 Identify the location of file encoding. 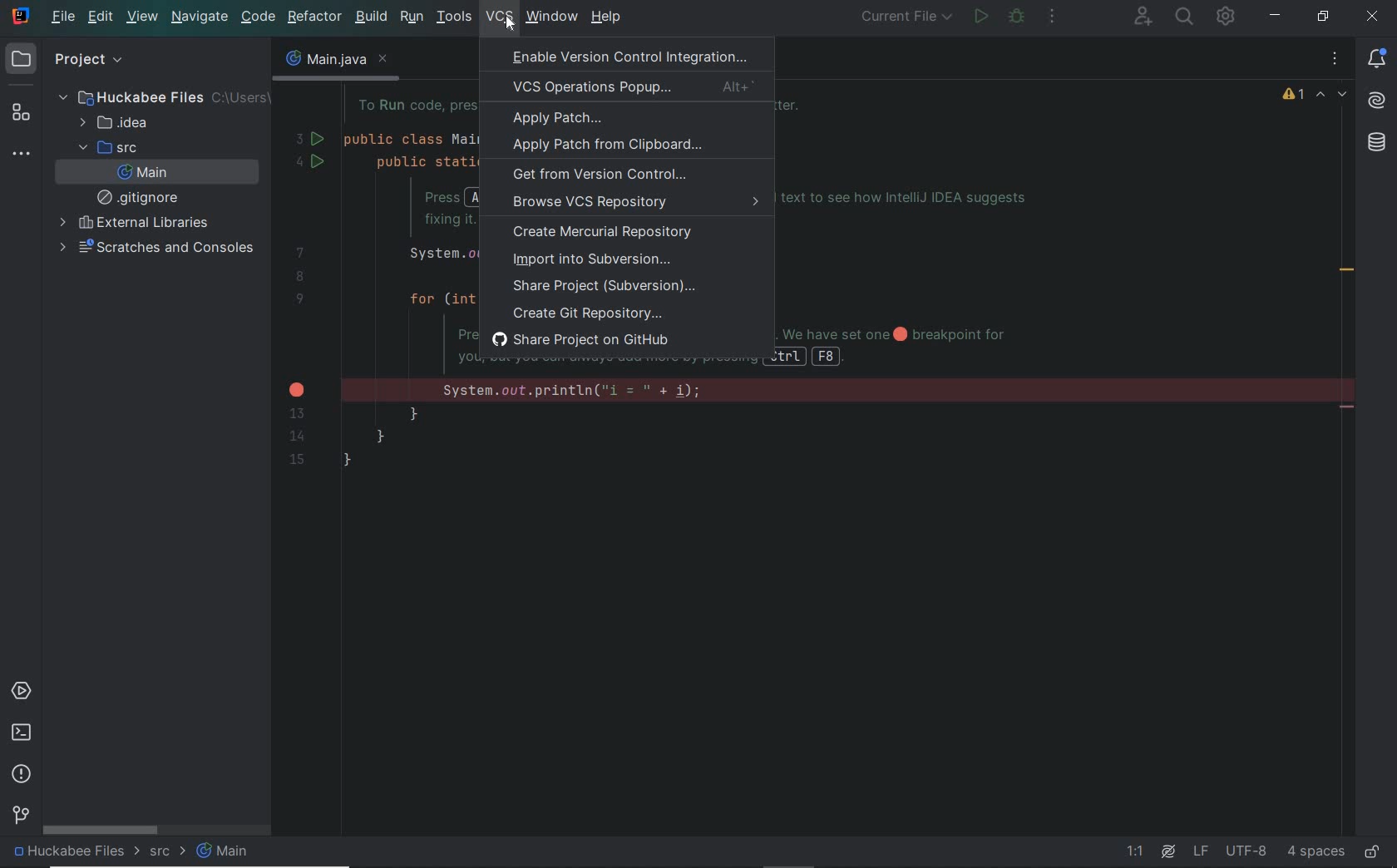
(1246, 851).